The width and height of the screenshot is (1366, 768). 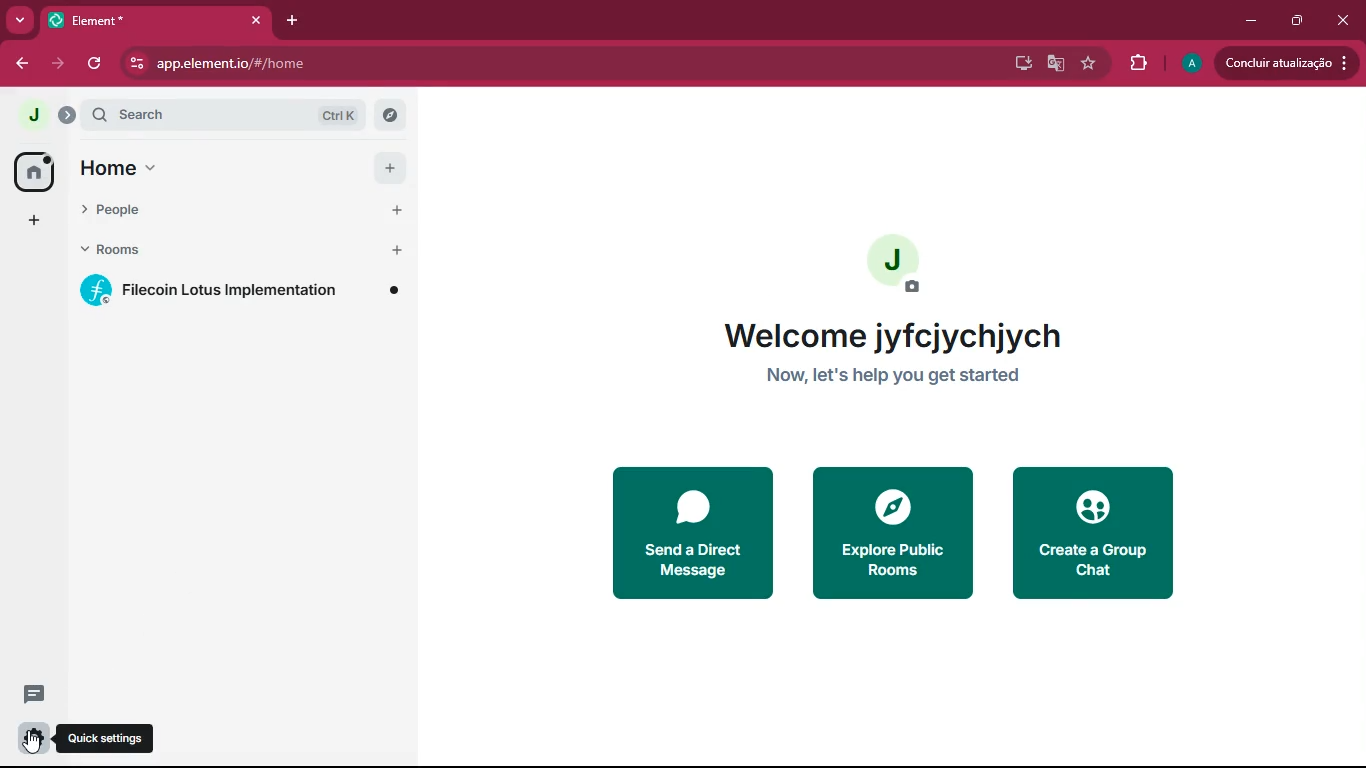 What do you see at coordinates (256, 21) in the screenshot?
I see `close tab` at bounding box center [256, 21].